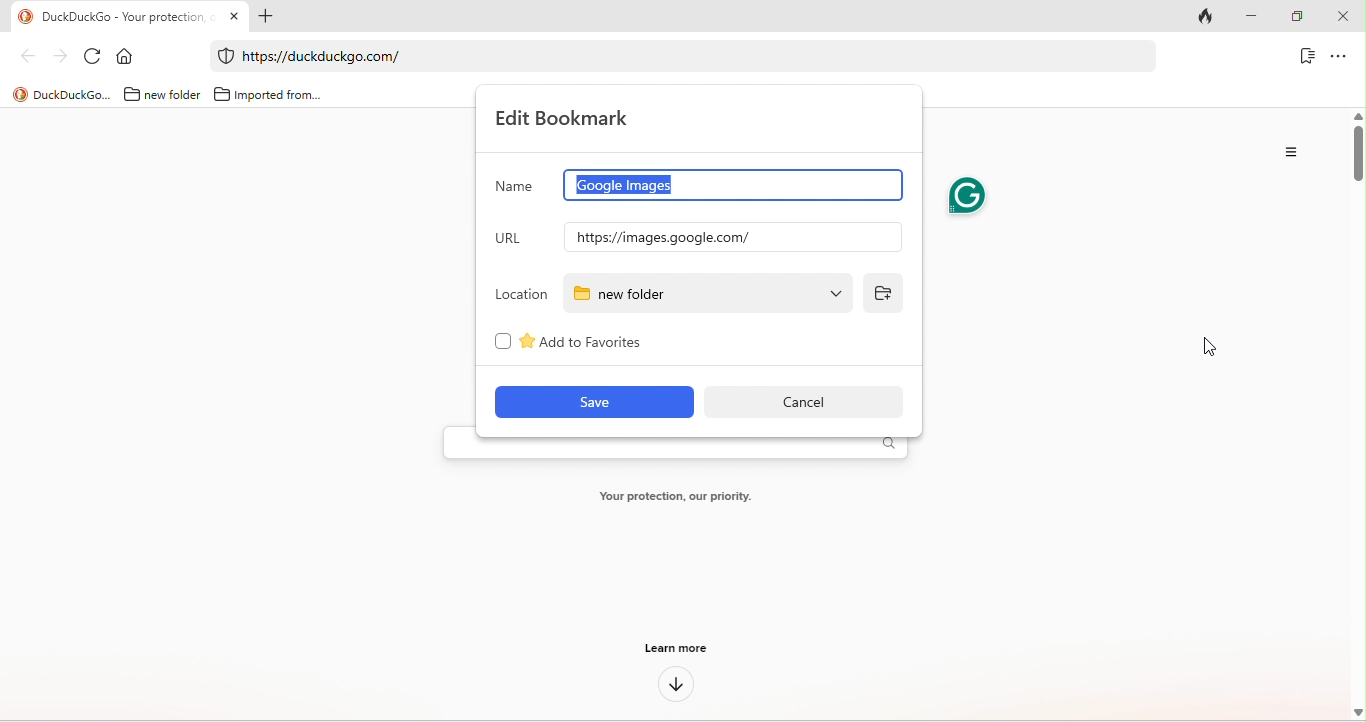 The width and height of the screenshot is (1366, 722). What do you see at coordinates (58, 94) in the screenshot?
I see `title` at bounding box center [58, 94].